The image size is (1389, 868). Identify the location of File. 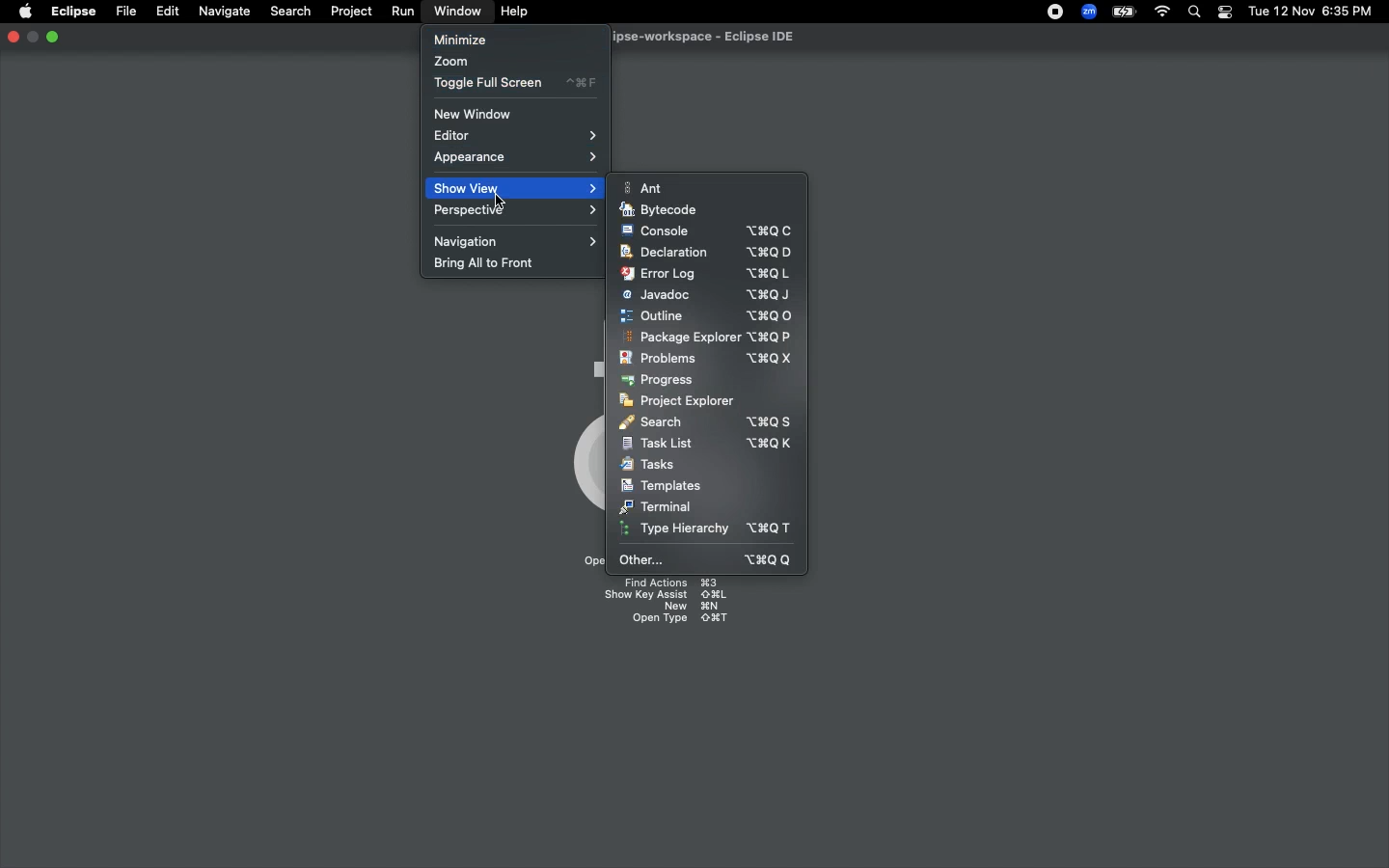
(124, 12).